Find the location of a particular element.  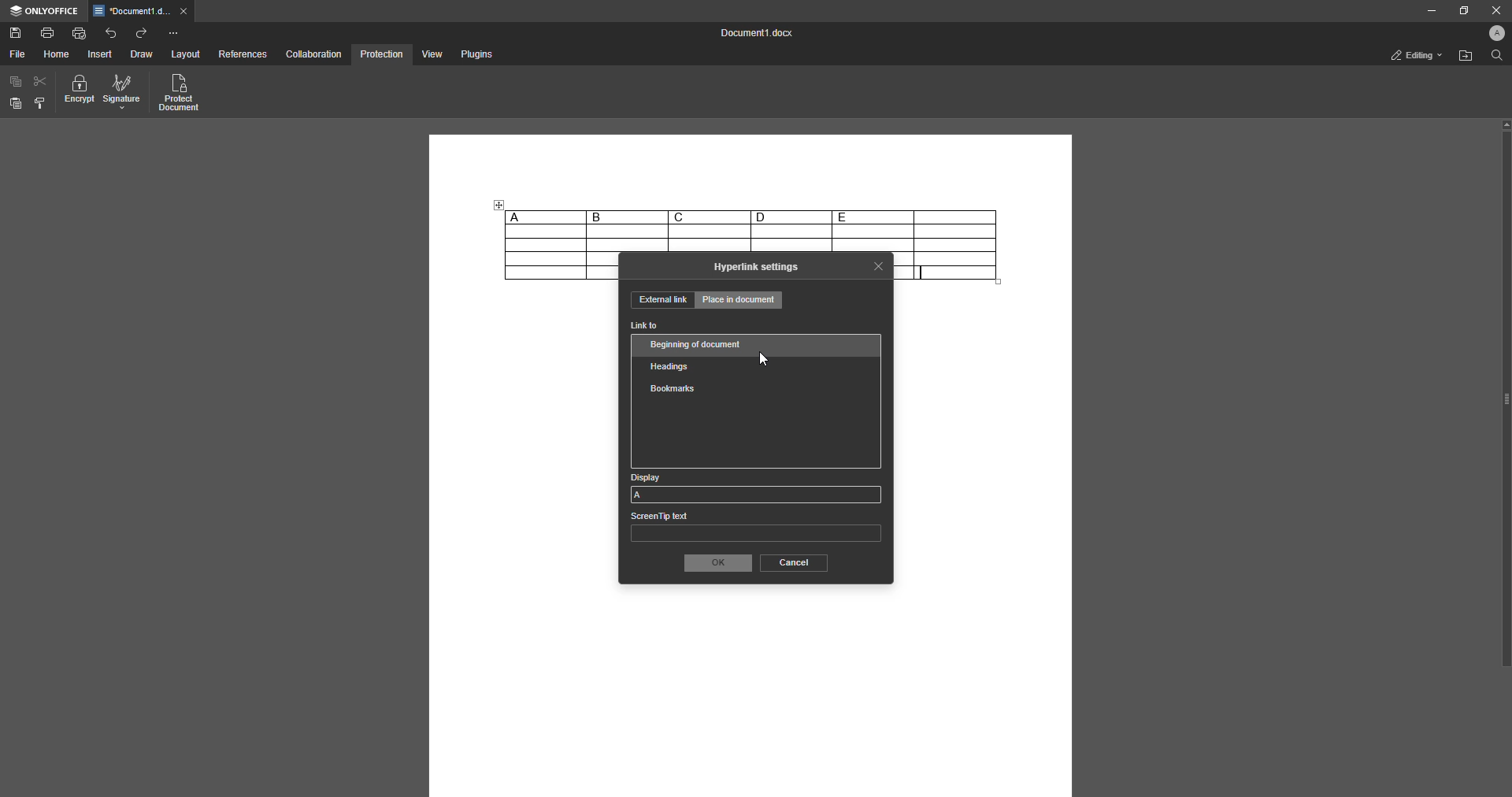

Place in document is located at coordinates (740, 302).